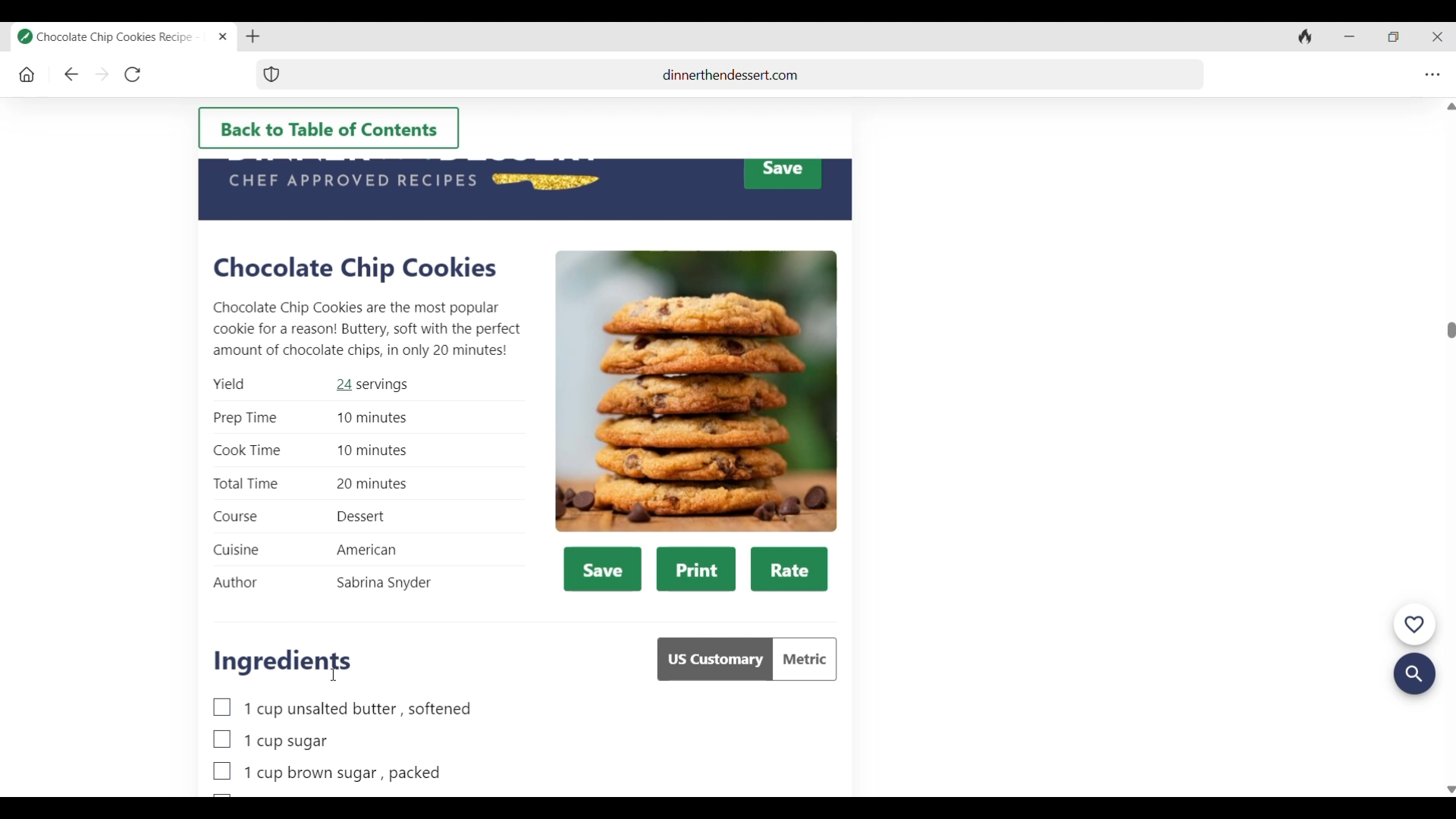 The height and width of the screenshot is (819, 1456). I want to click on Close tab, so click(224, 37).